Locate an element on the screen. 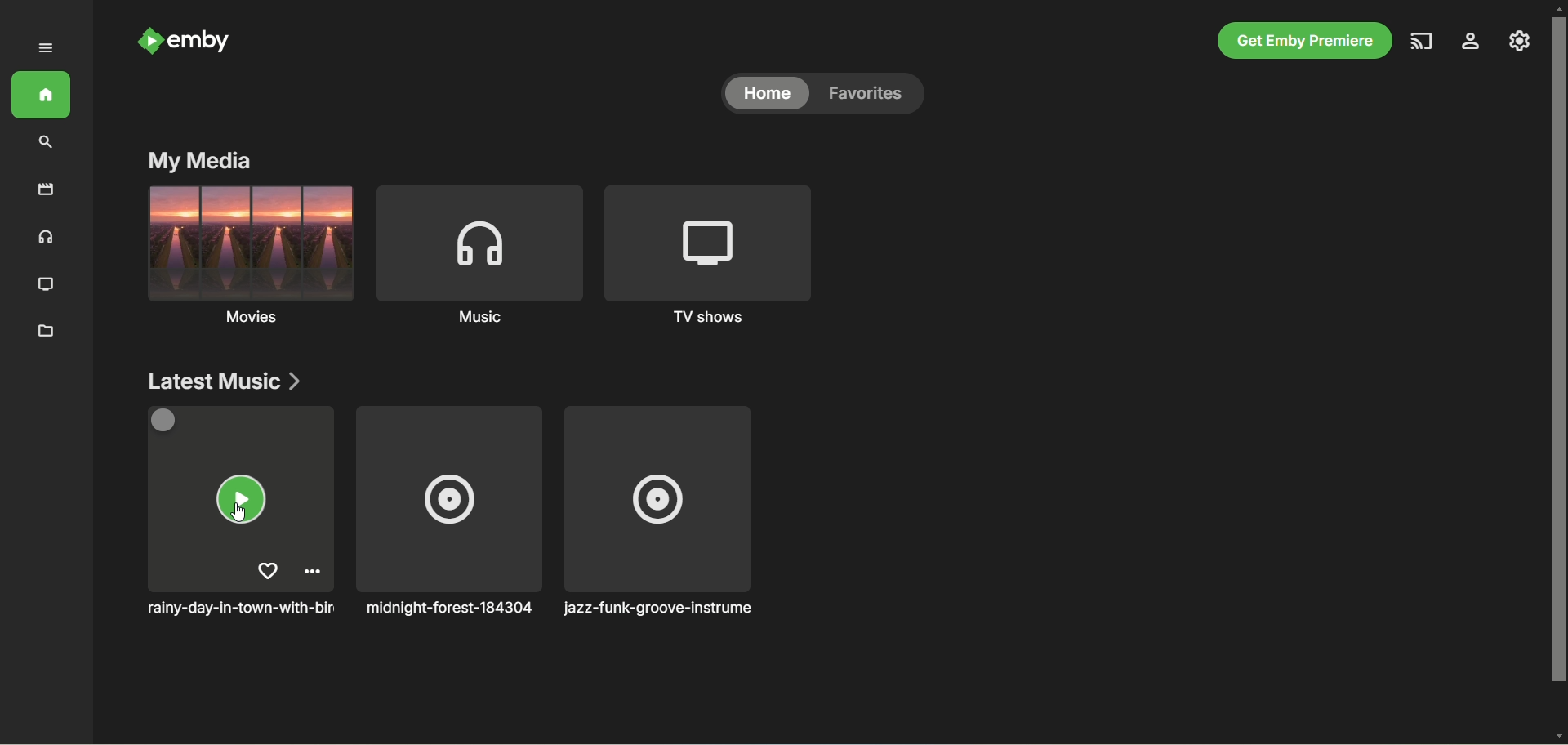 Image resolution: width=1568 pixels, height=745 pixels. folder is located at coordinates (46, 329).